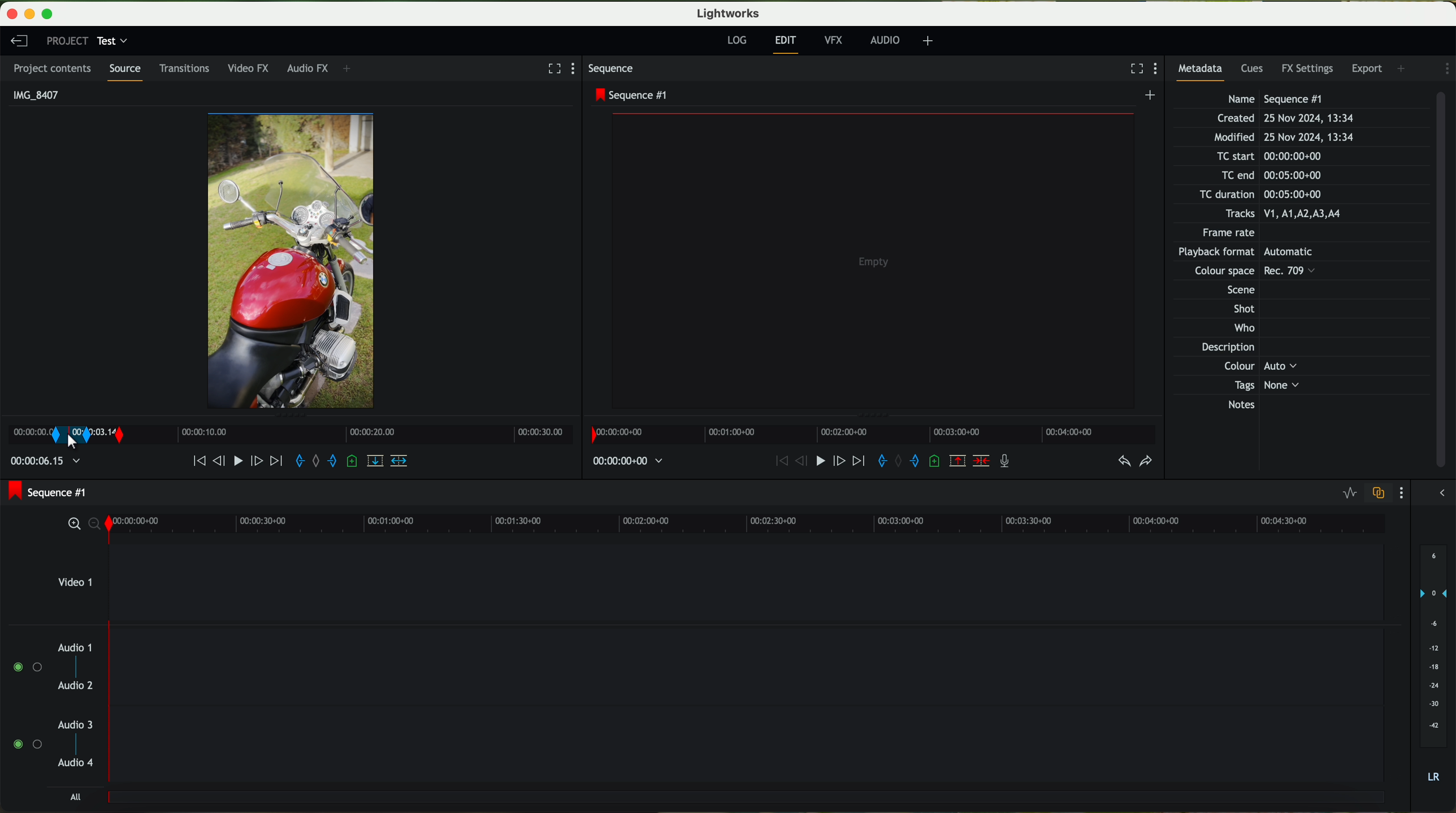  Describe the element at coordinates (73, 442) in the screenshot. I see `right click` at that location.